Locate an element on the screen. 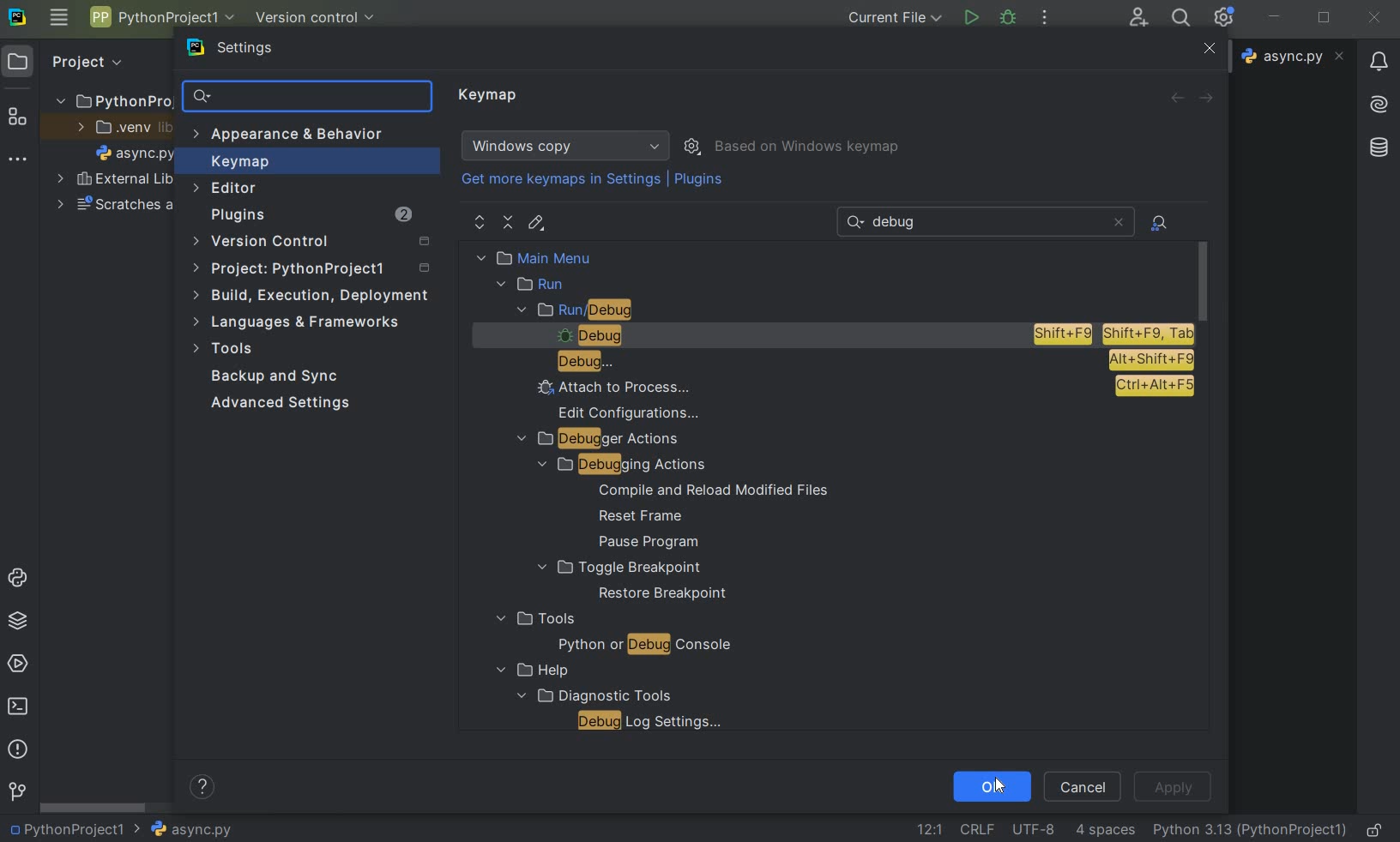 This screenshot has height=842, width=1400. debug is located at coordinates (1009, 16).